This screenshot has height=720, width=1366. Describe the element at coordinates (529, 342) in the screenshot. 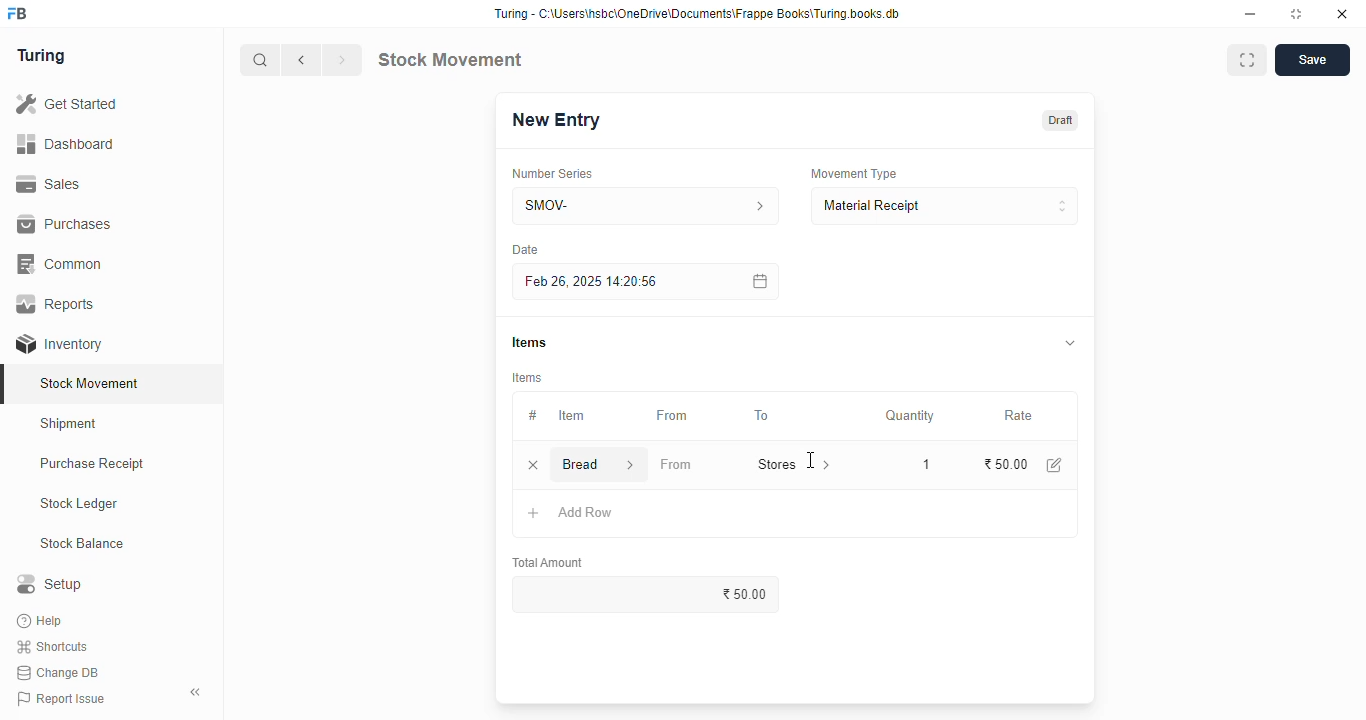

I see `items` at that location.